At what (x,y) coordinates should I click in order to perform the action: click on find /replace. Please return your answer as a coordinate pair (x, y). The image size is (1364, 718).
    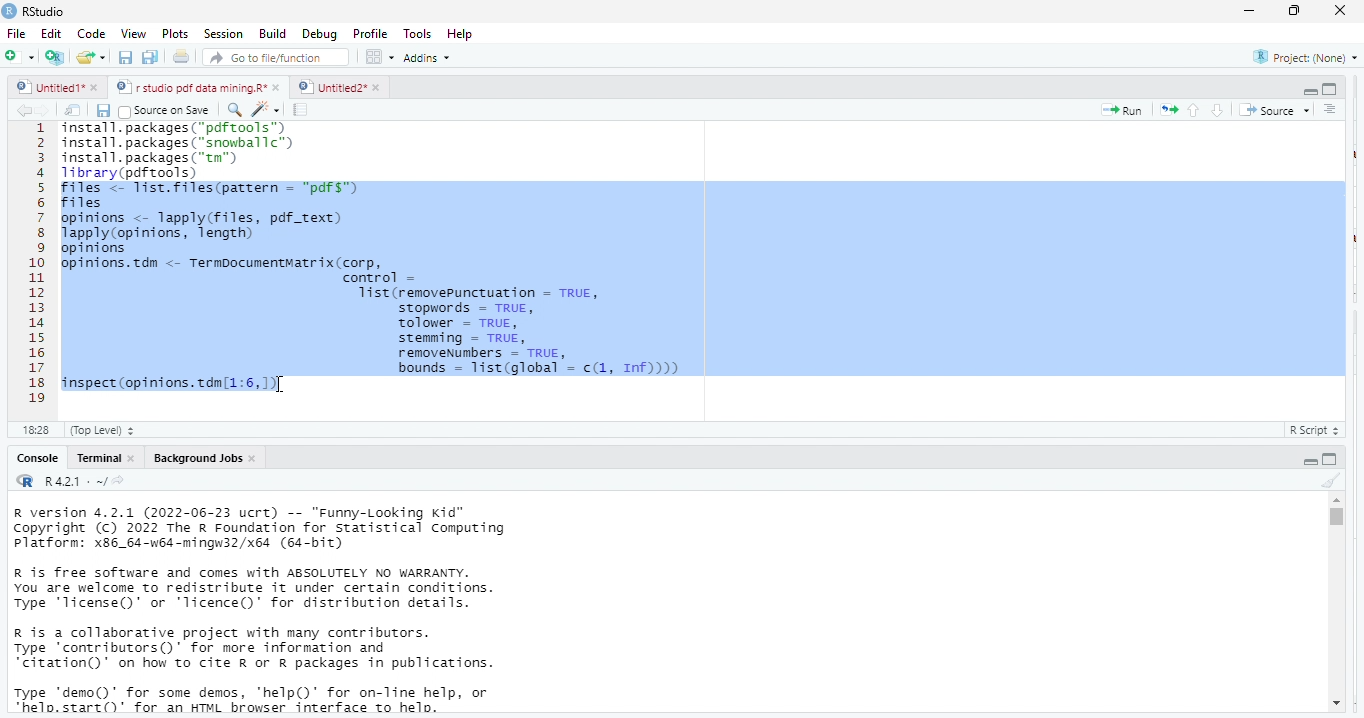
    Looking at the image, I should click on (234, 109).